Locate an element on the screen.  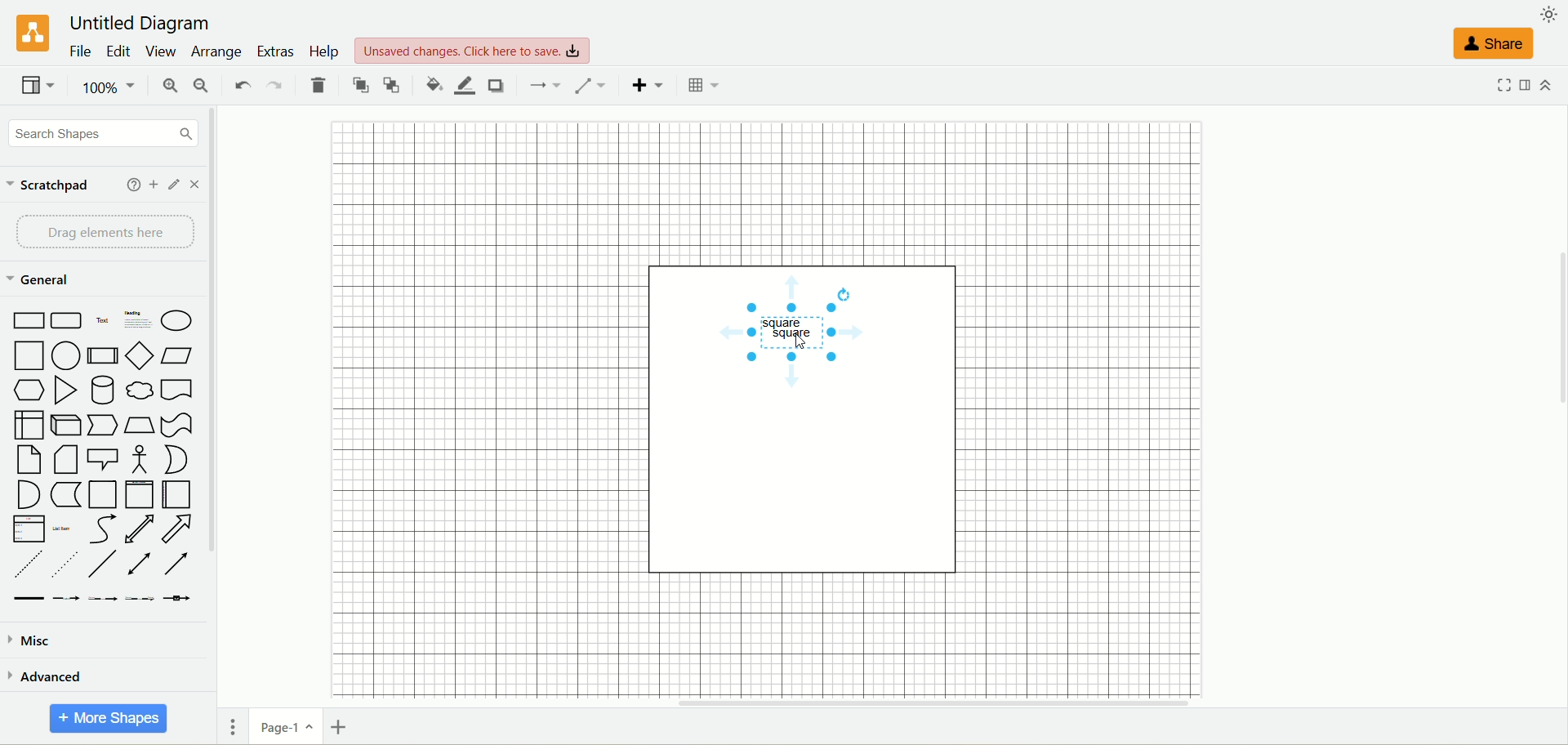
collapse/expand is located at coordinates (1545, 87).